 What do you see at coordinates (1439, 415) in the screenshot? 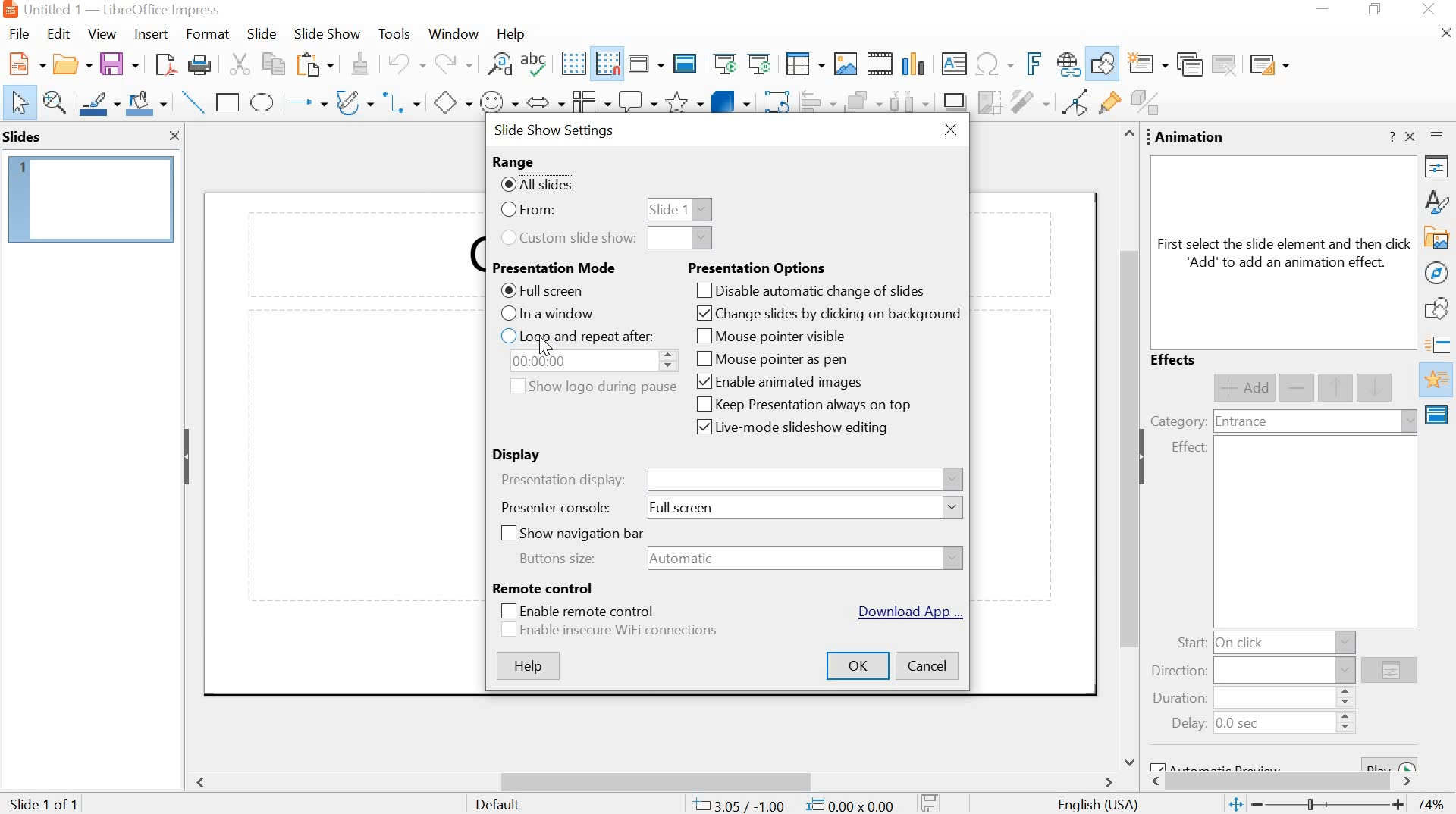
I see `master slides` at bounding box center [1439, 415].